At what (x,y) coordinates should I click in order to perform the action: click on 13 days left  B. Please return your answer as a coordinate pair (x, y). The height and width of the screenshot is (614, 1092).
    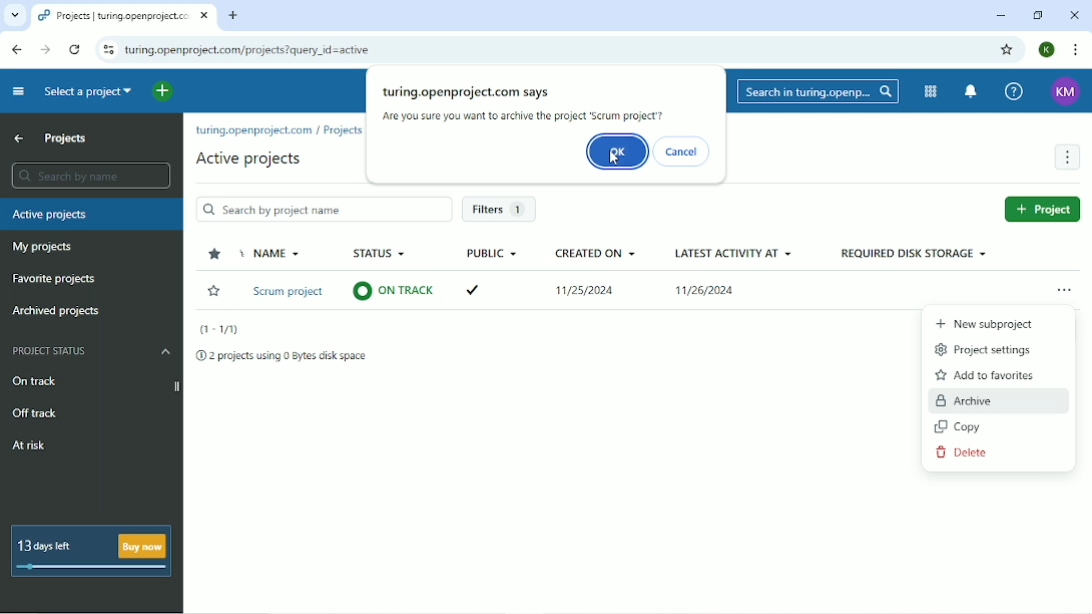
    Looking at the image, I should click on (55, 542).